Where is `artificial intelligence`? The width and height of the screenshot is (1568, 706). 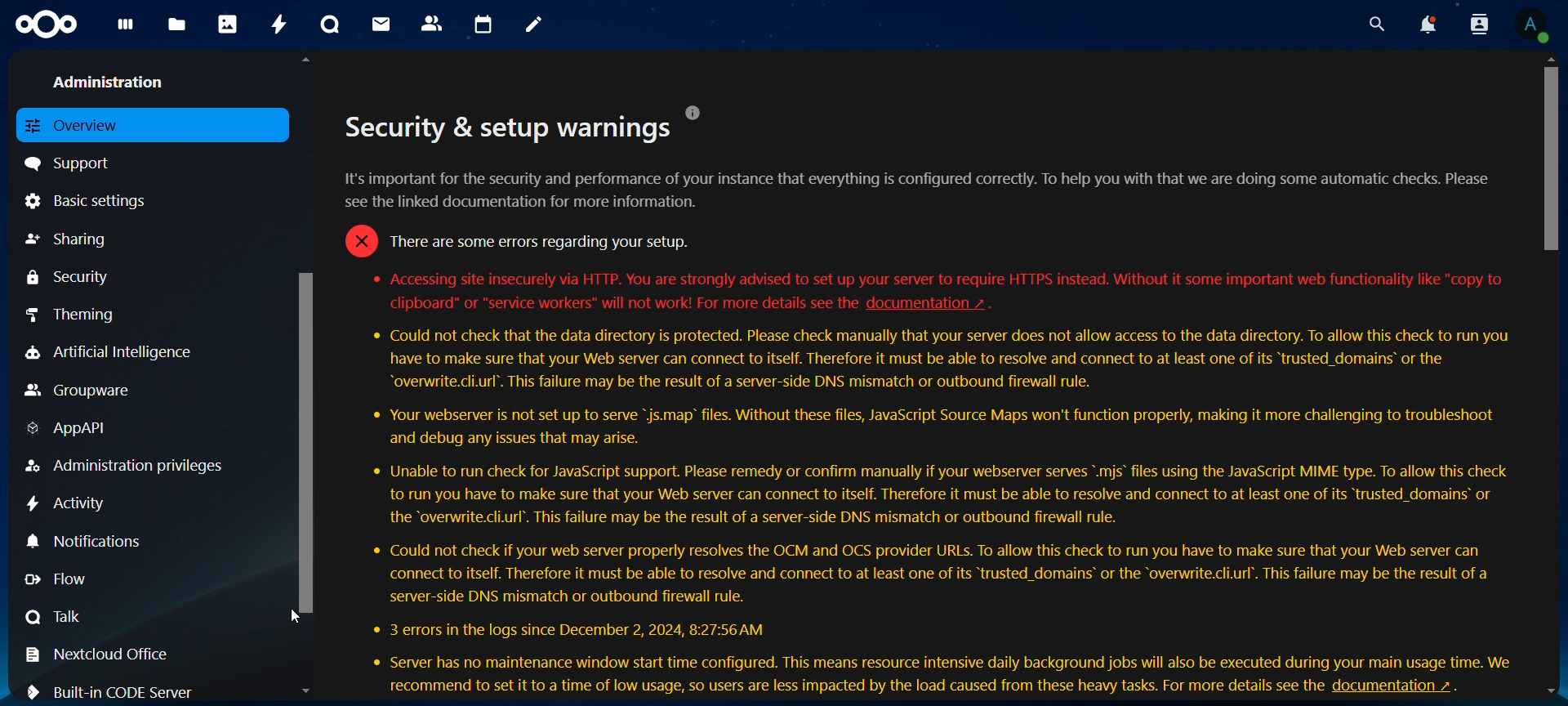
artificial intelligence is located at coordinates (109, 353).